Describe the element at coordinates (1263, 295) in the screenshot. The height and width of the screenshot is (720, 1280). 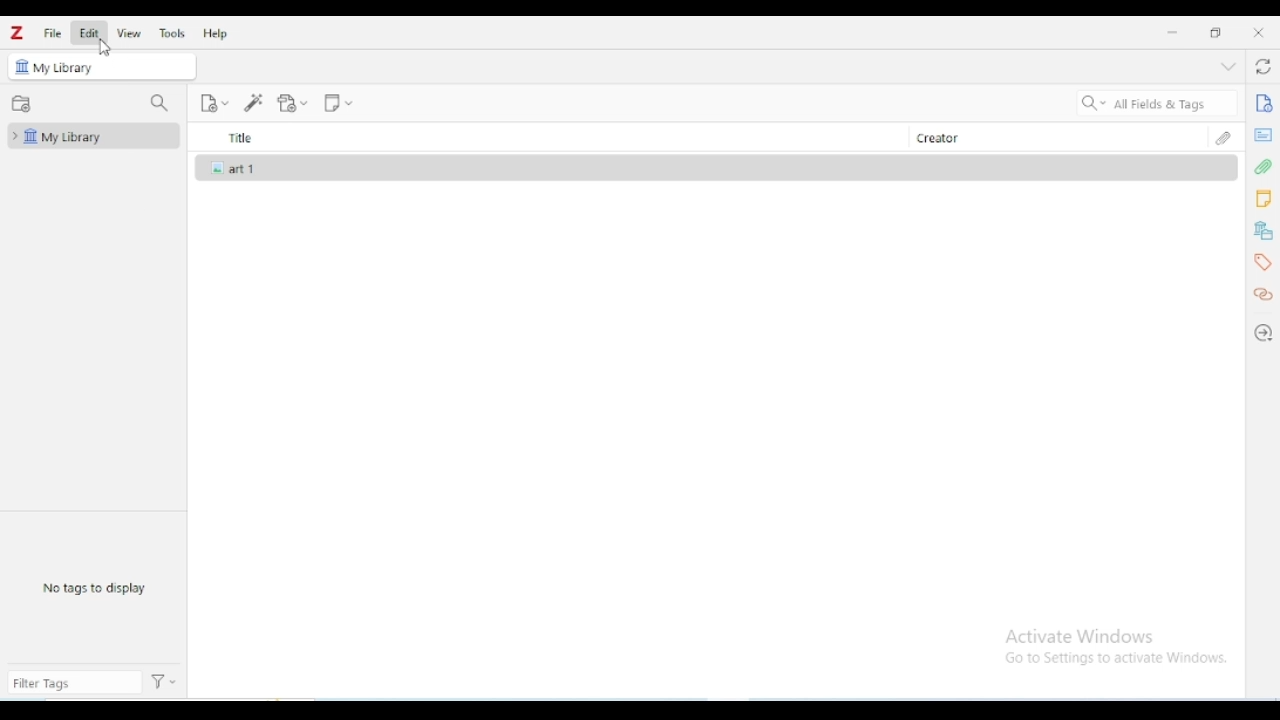
I see `related` at that location.